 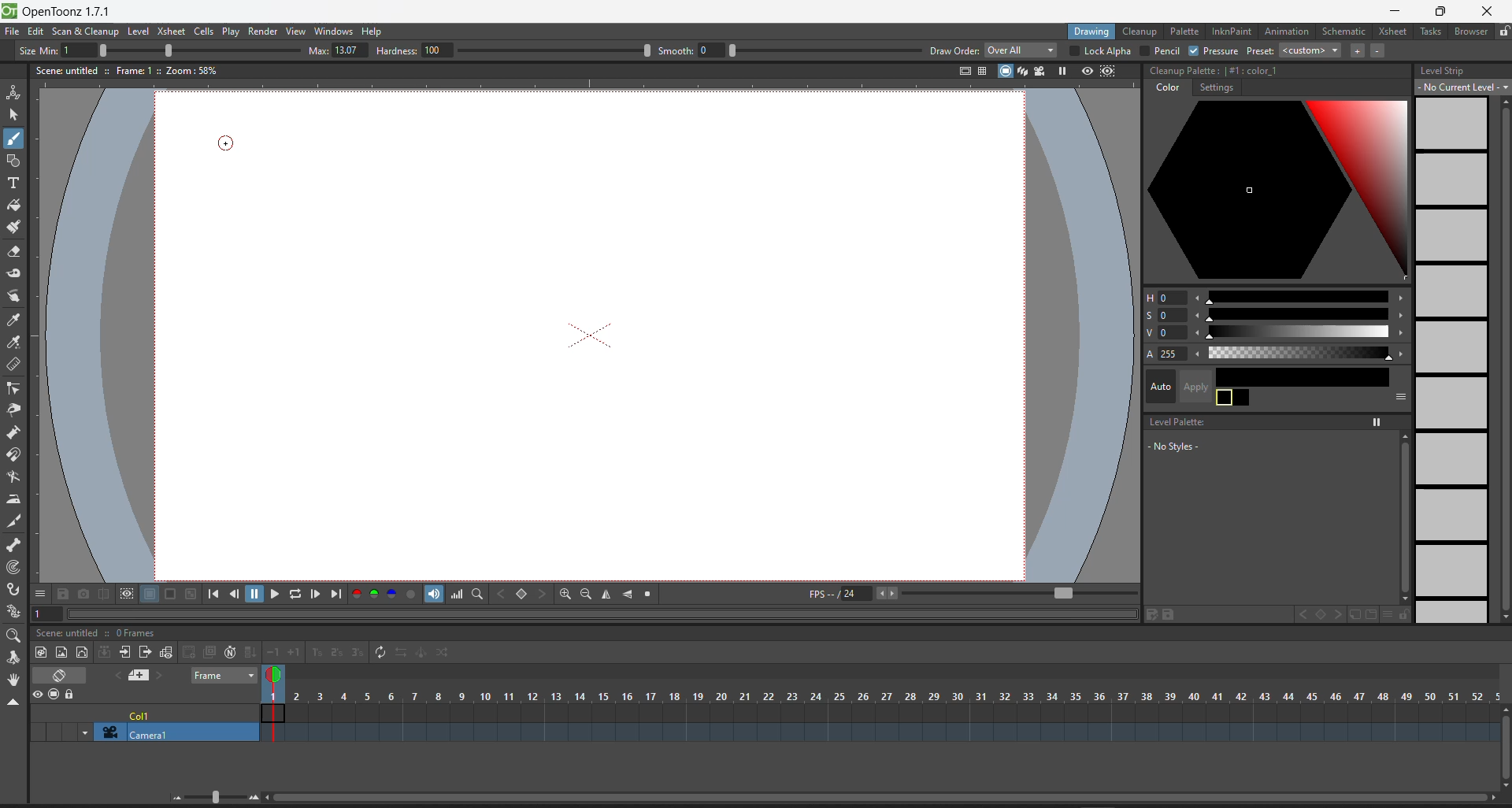 I want to click on loop, so click(x=296, y=594).